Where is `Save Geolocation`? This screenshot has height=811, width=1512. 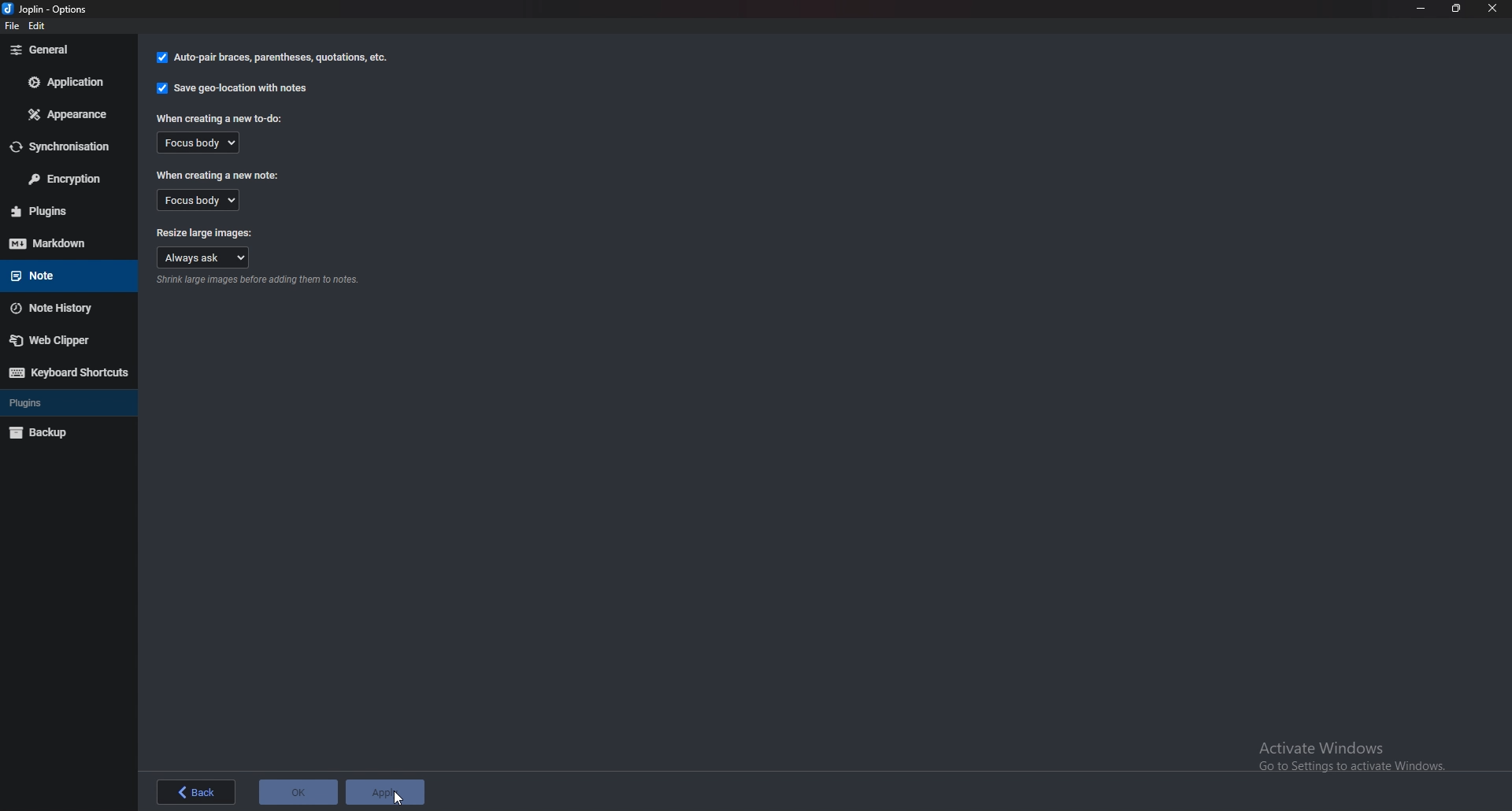
Save Geolocation is located at coordinates (235, 87).